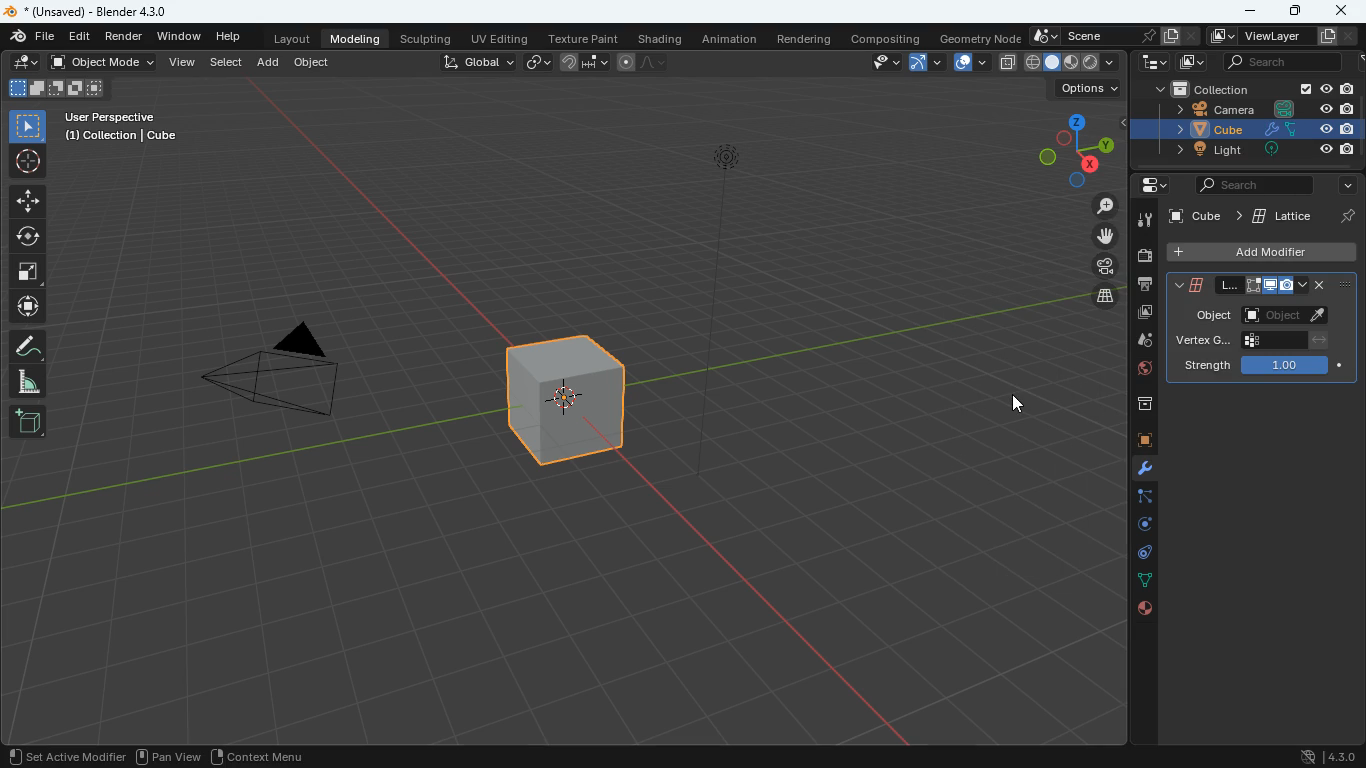 This screenshot has width=1366, height=768. Describe the element at coordinates (1142, 286) in the screenshot. I see `print` at that location.